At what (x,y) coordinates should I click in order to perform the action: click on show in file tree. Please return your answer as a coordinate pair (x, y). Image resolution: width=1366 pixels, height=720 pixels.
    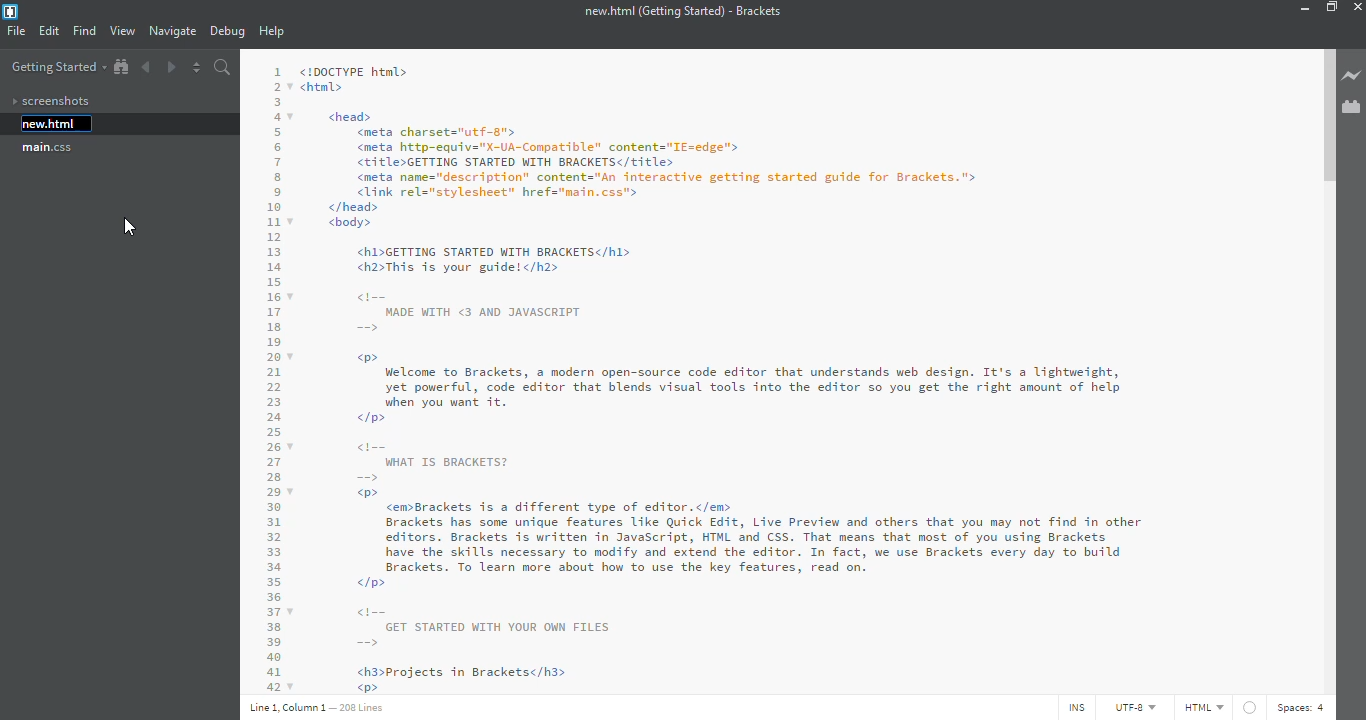
    Looking at the image, I should click on (121, 67).